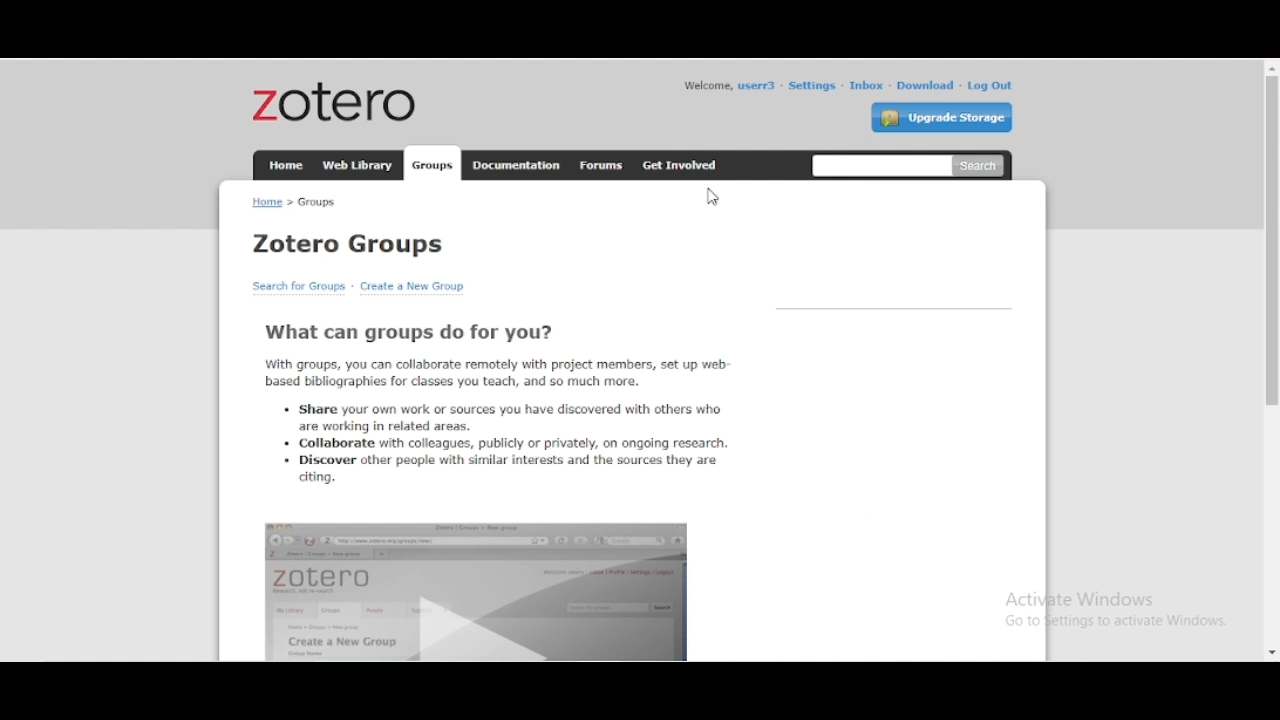  Describe the element at coordinates (286, 165) in the screenshot. I see `home` at that location.